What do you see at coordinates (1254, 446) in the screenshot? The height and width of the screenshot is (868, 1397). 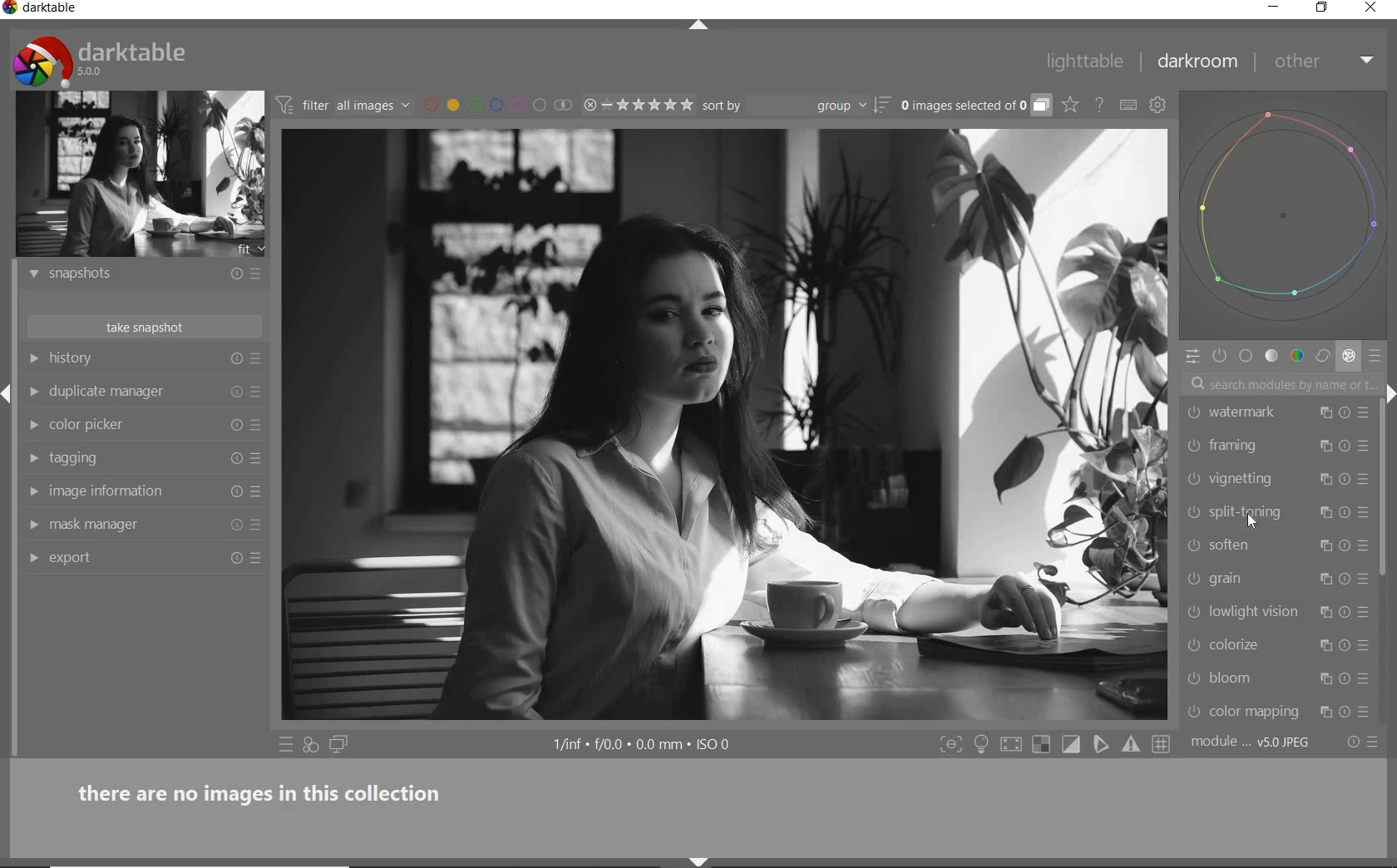 I see `framing` at bounding box center [1254, 446].